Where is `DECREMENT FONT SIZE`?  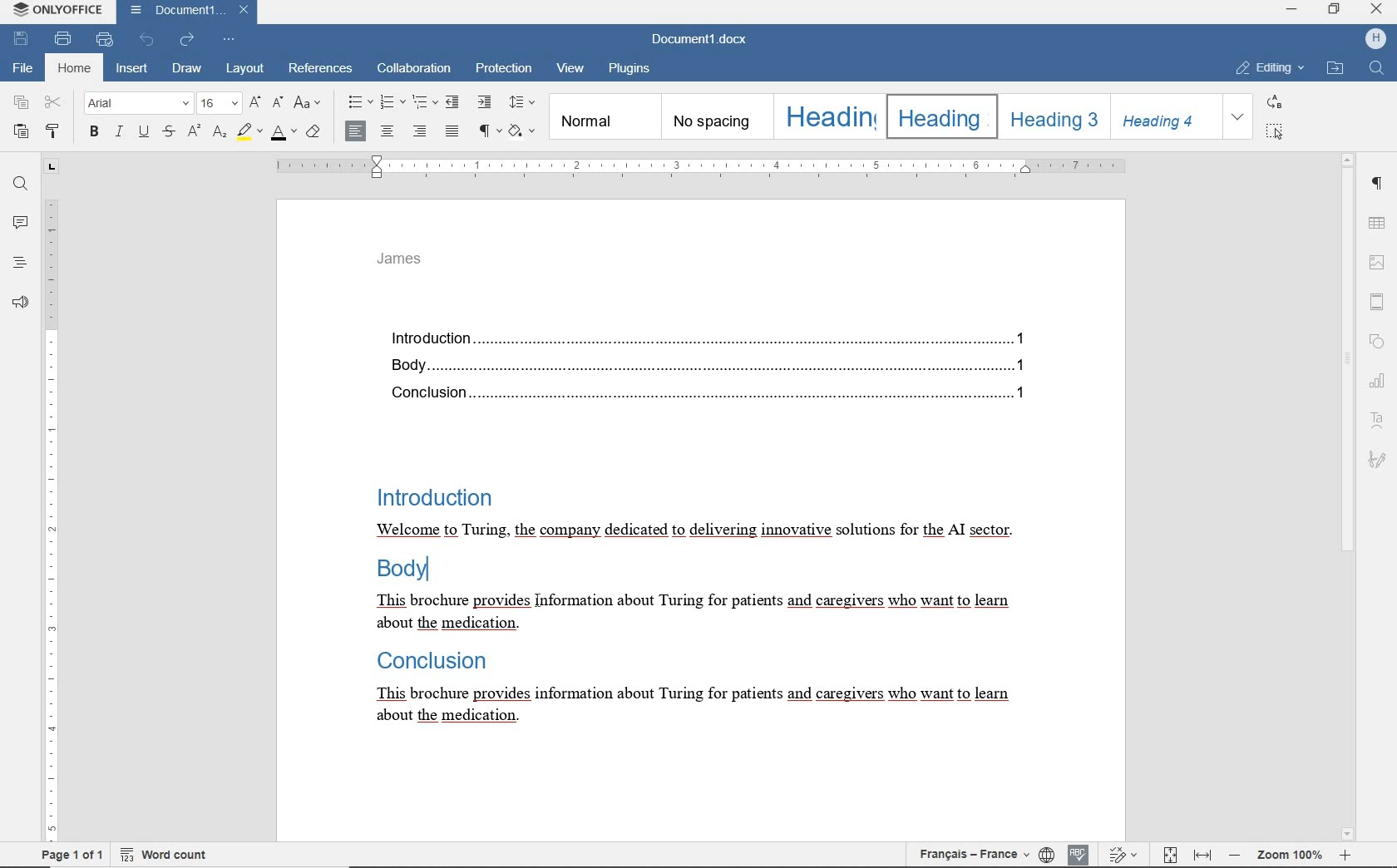
DECREMENT FONT SIZE is located at coordinates (276, 104).